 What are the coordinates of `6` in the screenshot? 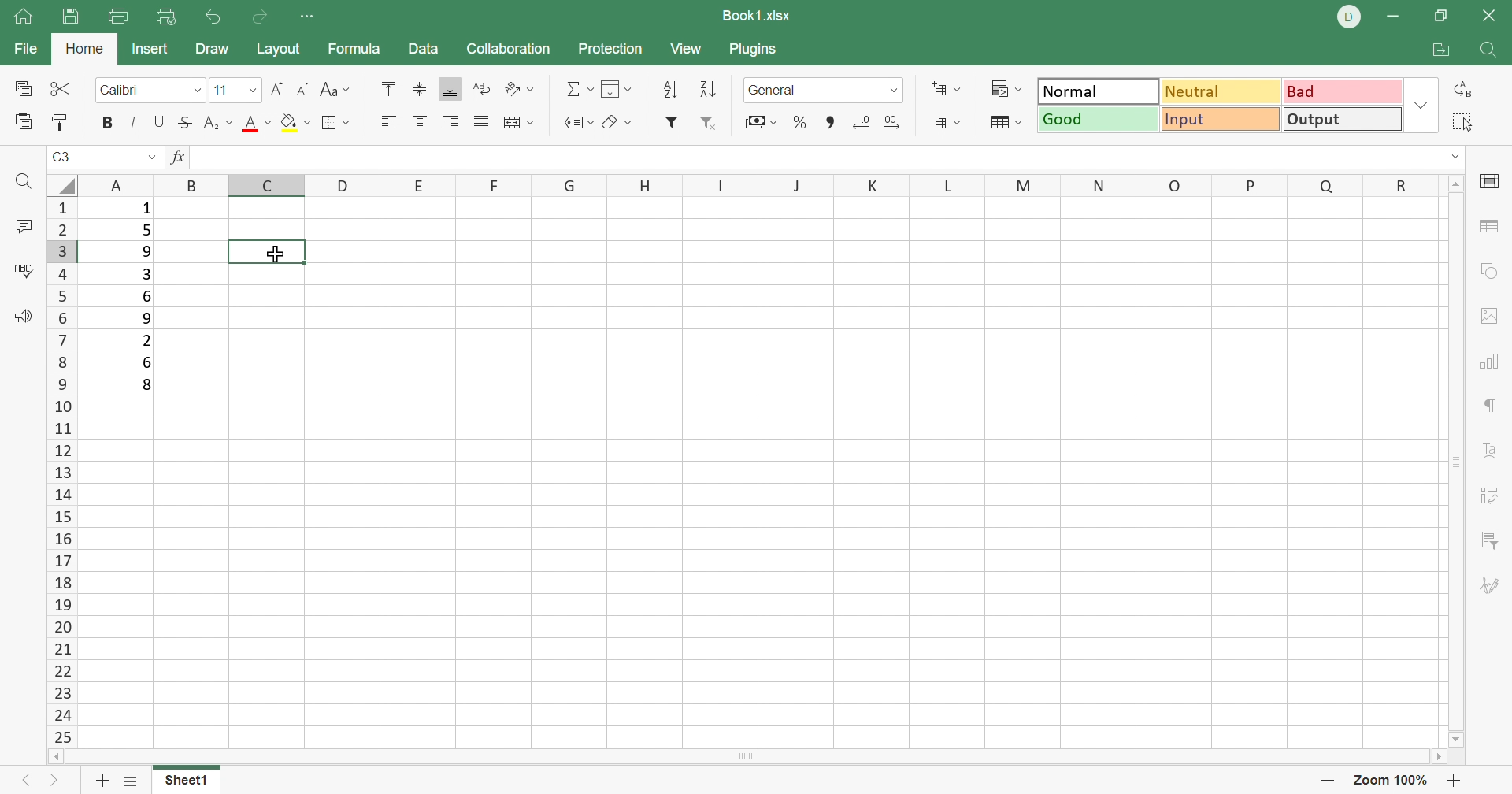 It's located at (149, 297).